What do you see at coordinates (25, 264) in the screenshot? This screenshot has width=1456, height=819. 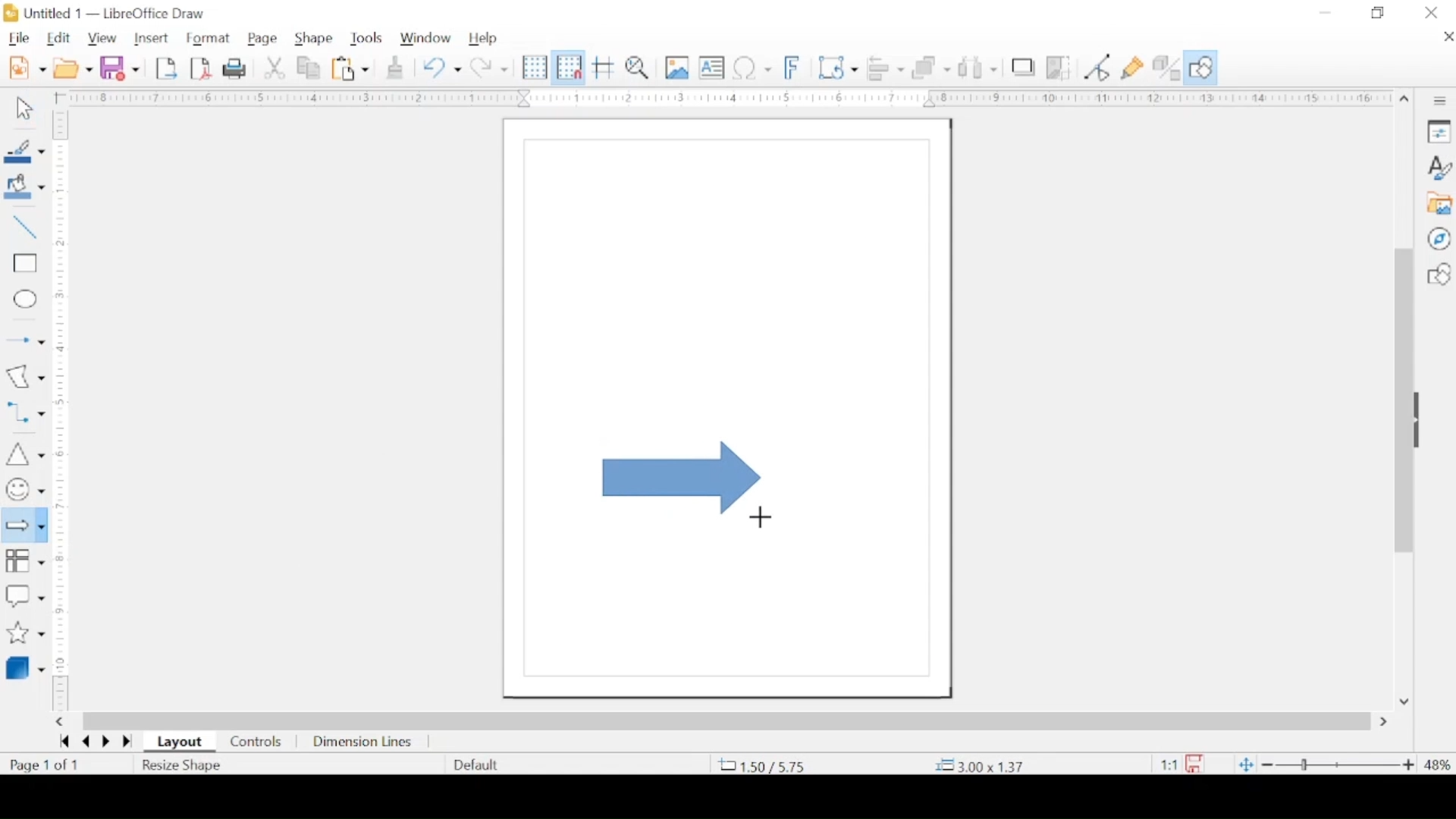 I see `rectangle` at bounding box center [25, 264].